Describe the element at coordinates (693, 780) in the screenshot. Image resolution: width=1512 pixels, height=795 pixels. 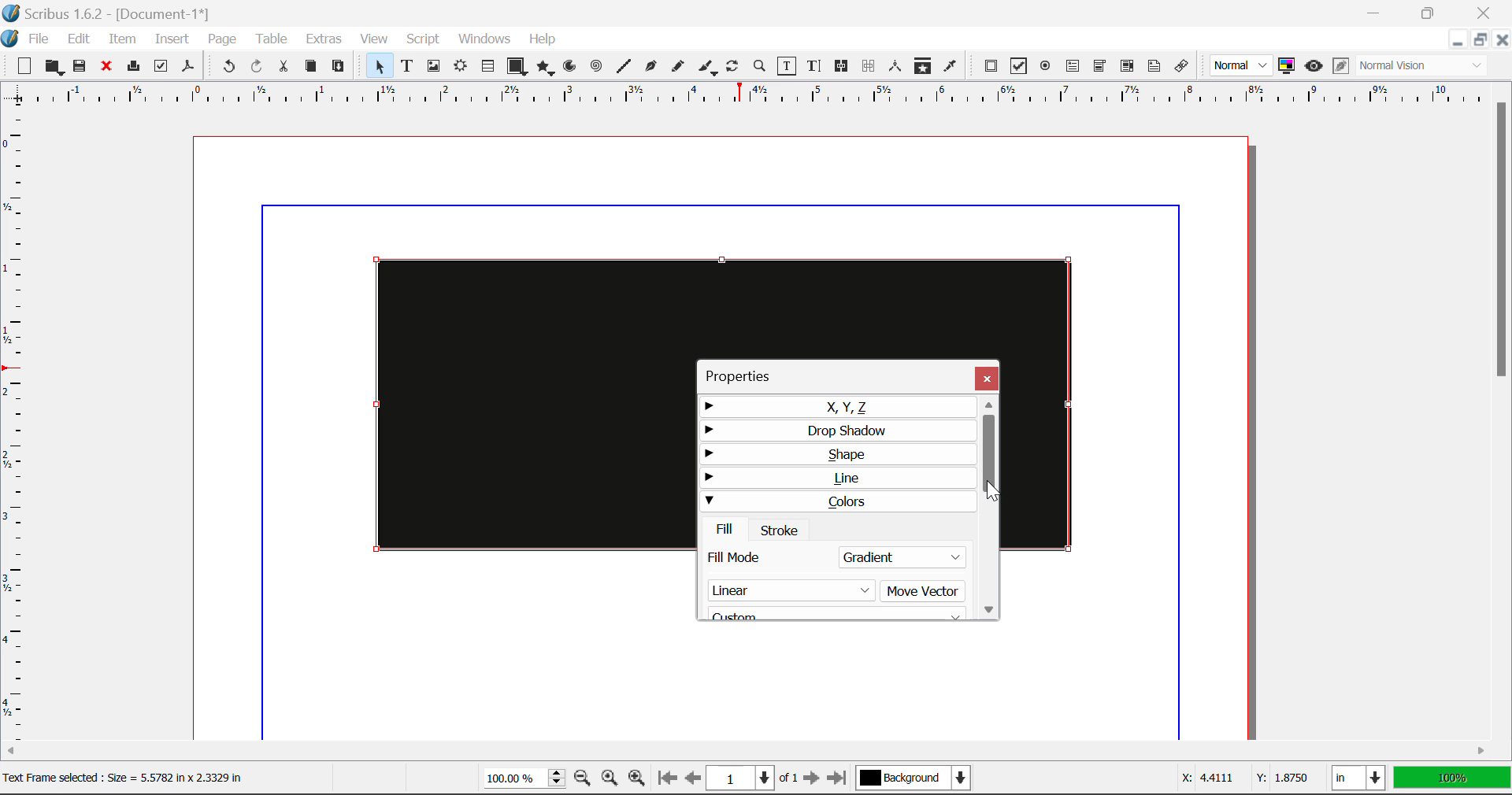
I see `Previous Page` at that location.